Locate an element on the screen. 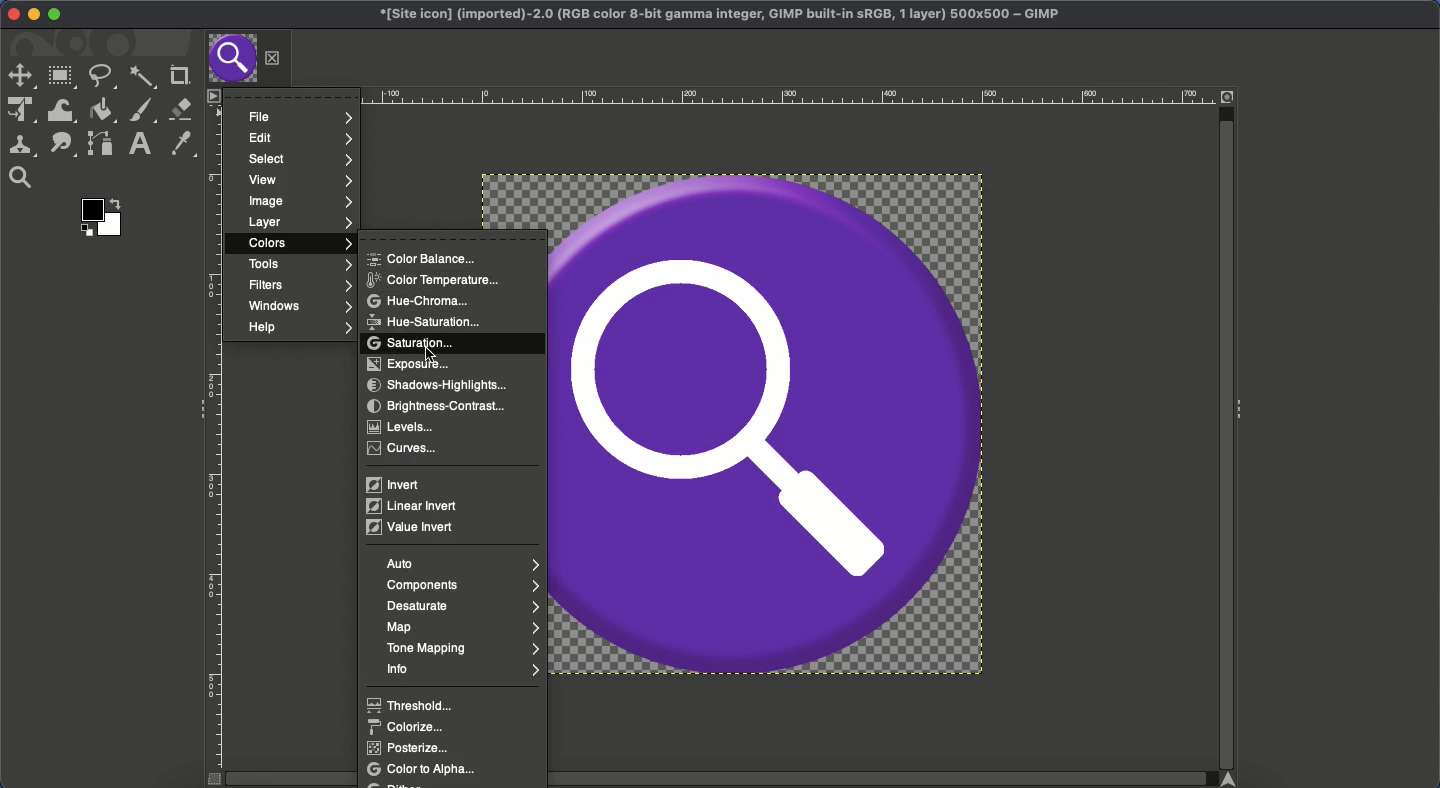  Eraser is located at coordinates (180, 109).